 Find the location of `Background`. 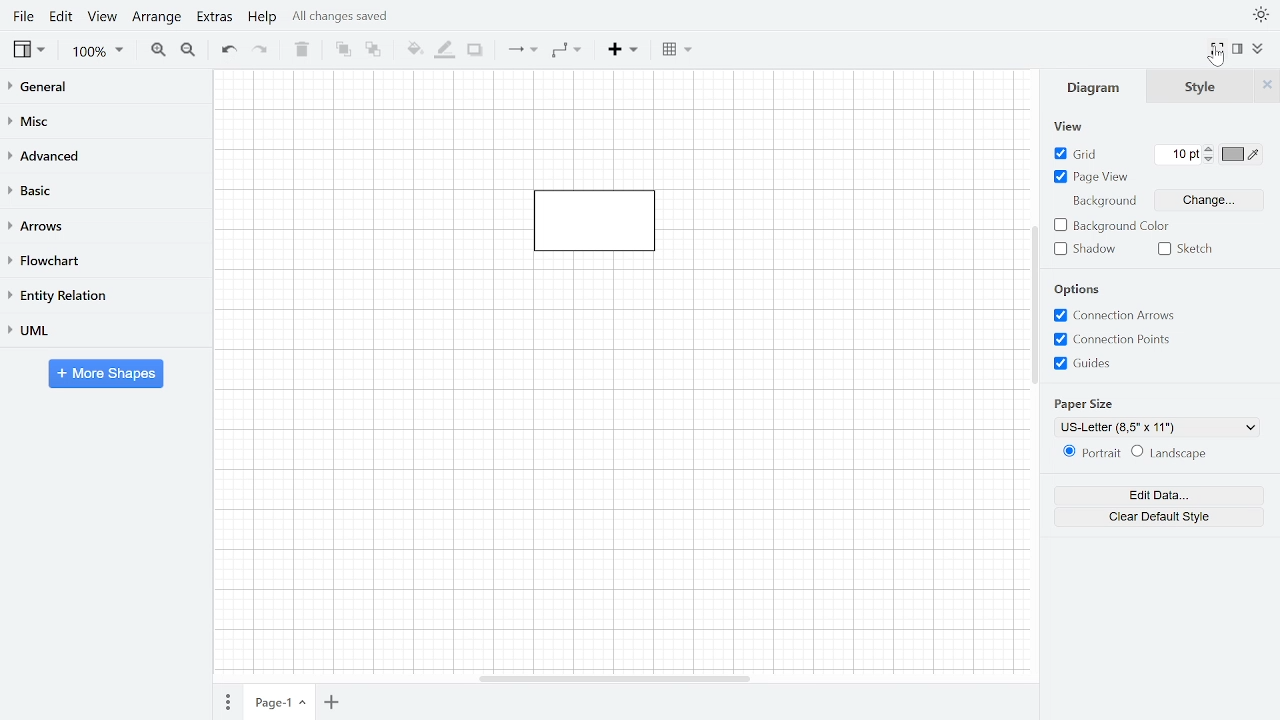

Background is located at coordinates (1102, 202).